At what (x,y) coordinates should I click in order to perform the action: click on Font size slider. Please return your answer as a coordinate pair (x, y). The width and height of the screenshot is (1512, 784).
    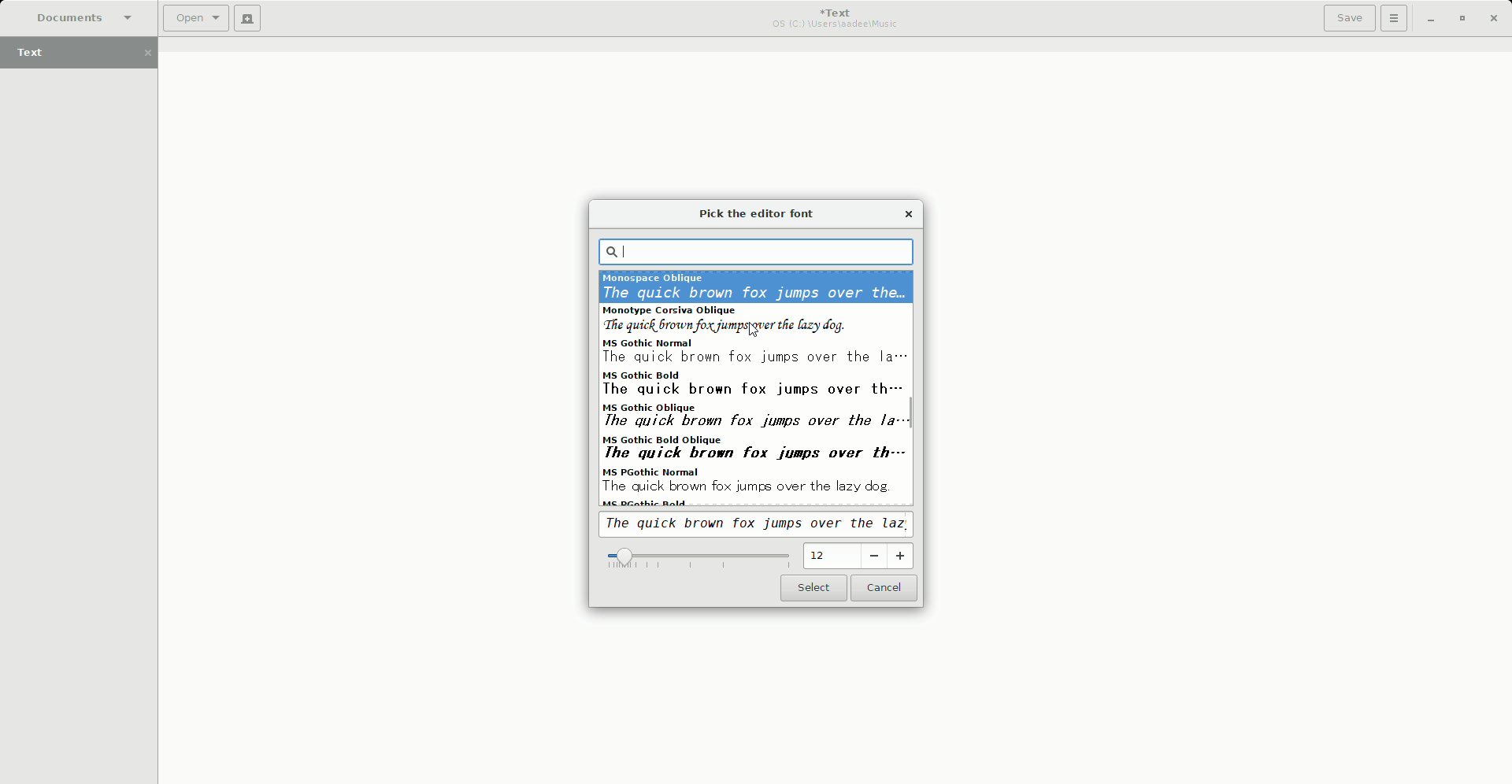
    Looking at the image, I should click on (696, 560).